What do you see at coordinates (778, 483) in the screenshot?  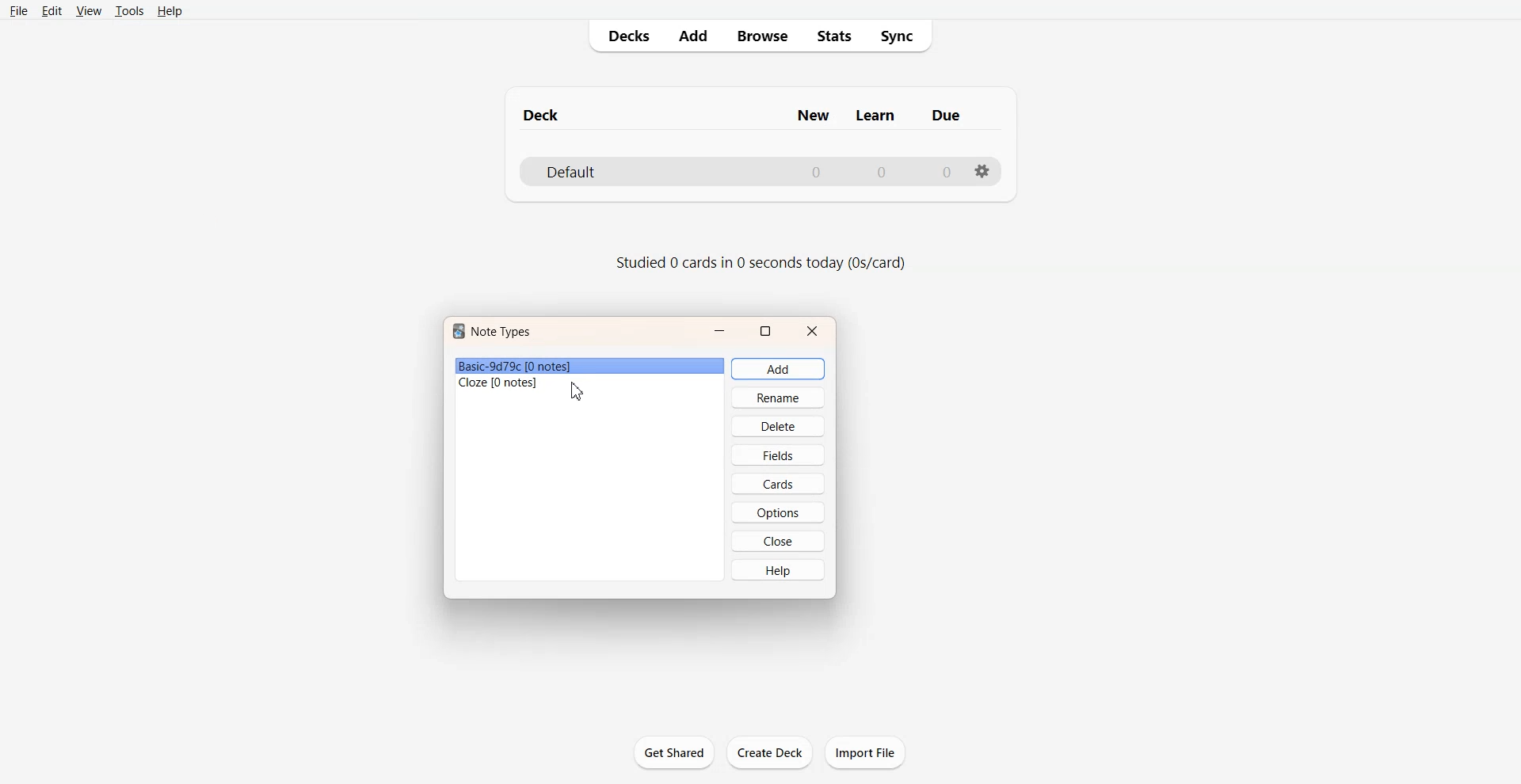 I see `Cards` at bounding box center [778, 483].